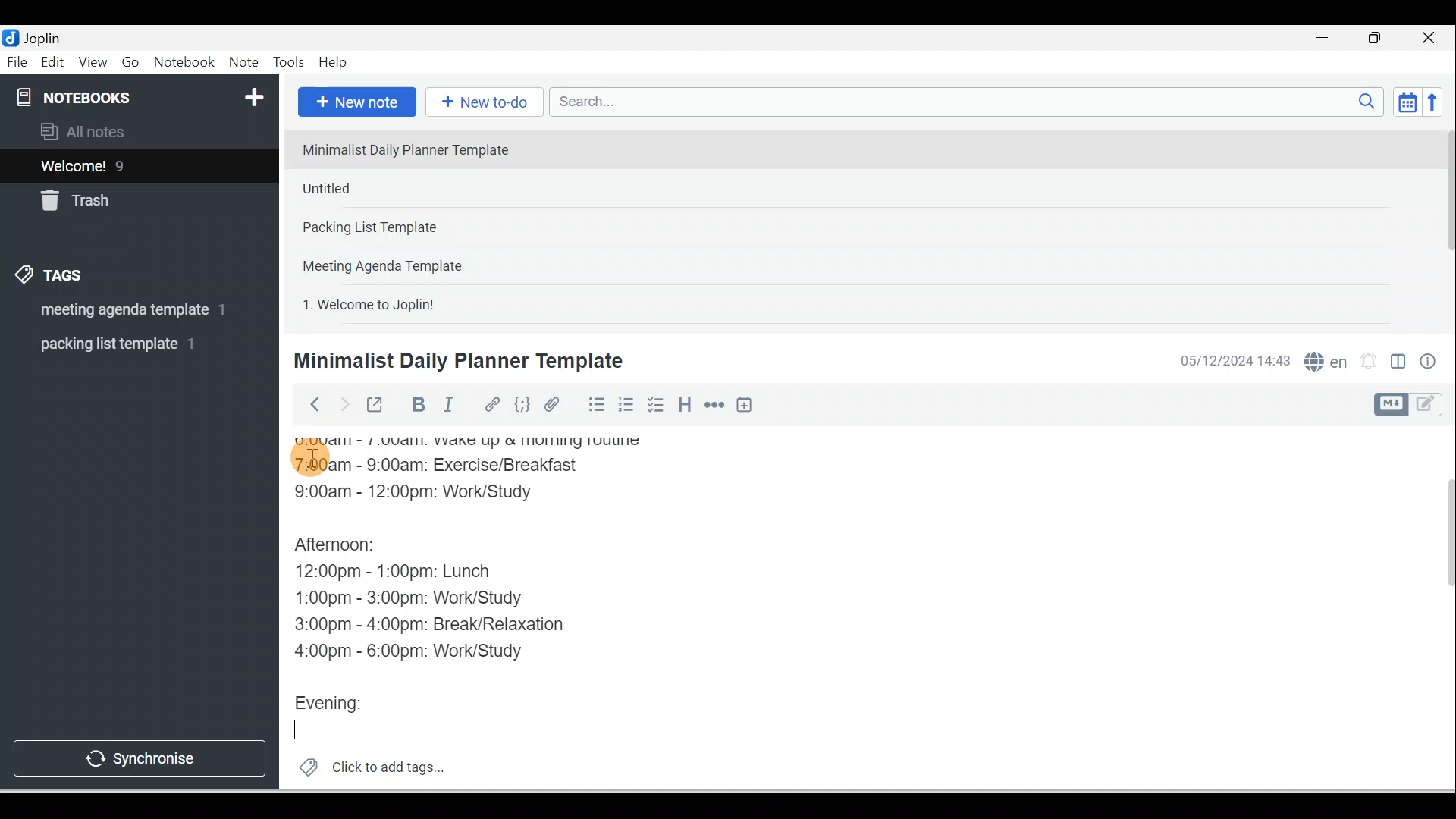 The image size is (1456, 819). What do you see at coordinates (311, 455) in the screenshot?
I see `Cursor` at bounding box center [311, 455].